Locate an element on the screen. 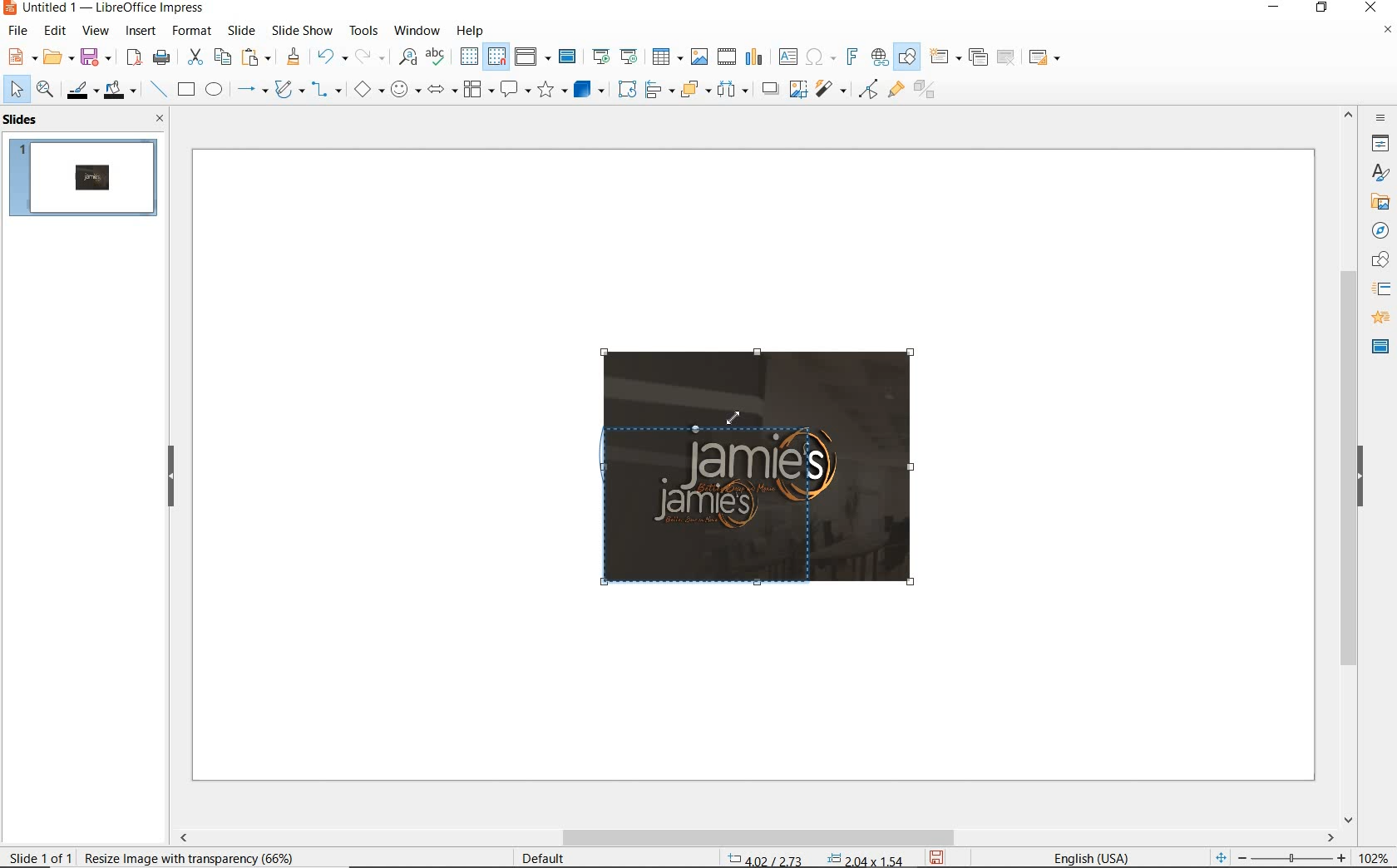 The image size is (1397, 868). Cursor is located at coordinates (738, 421).